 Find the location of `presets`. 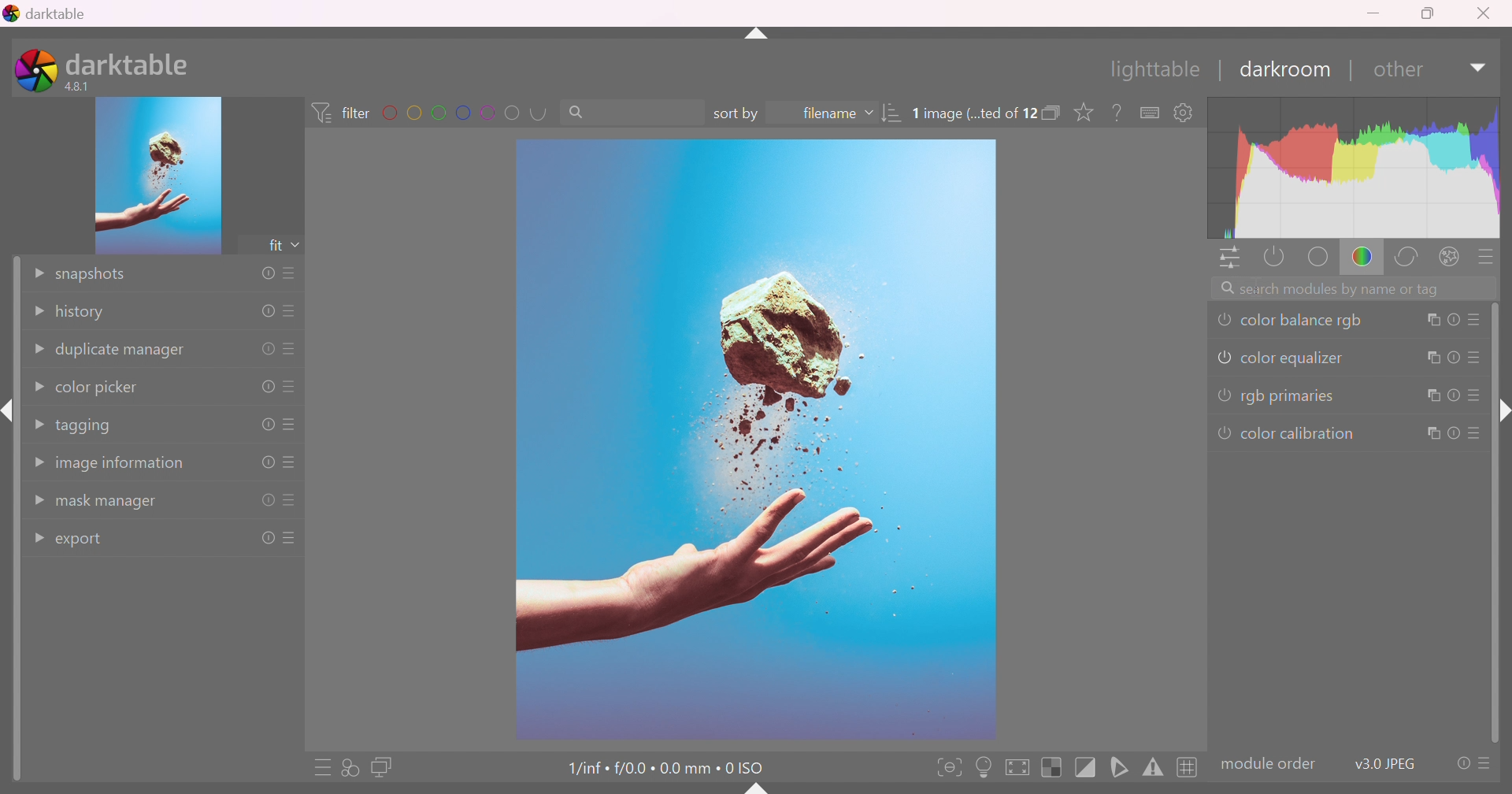

presets is located at coordinates (294, 349).